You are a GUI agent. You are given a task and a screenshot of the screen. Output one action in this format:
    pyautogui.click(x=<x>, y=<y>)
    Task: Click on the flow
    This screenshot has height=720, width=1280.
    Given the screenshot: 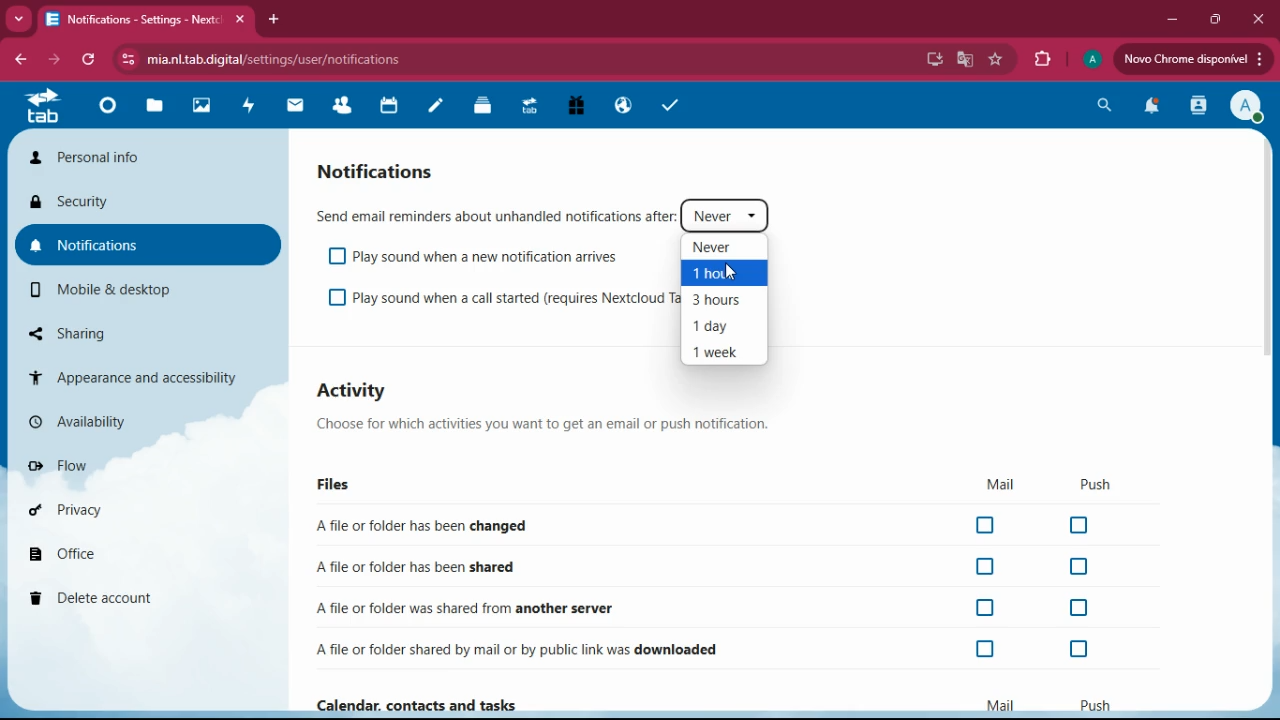 What is the action you would take?
    pyautogui.click(x=125, y=466)
    